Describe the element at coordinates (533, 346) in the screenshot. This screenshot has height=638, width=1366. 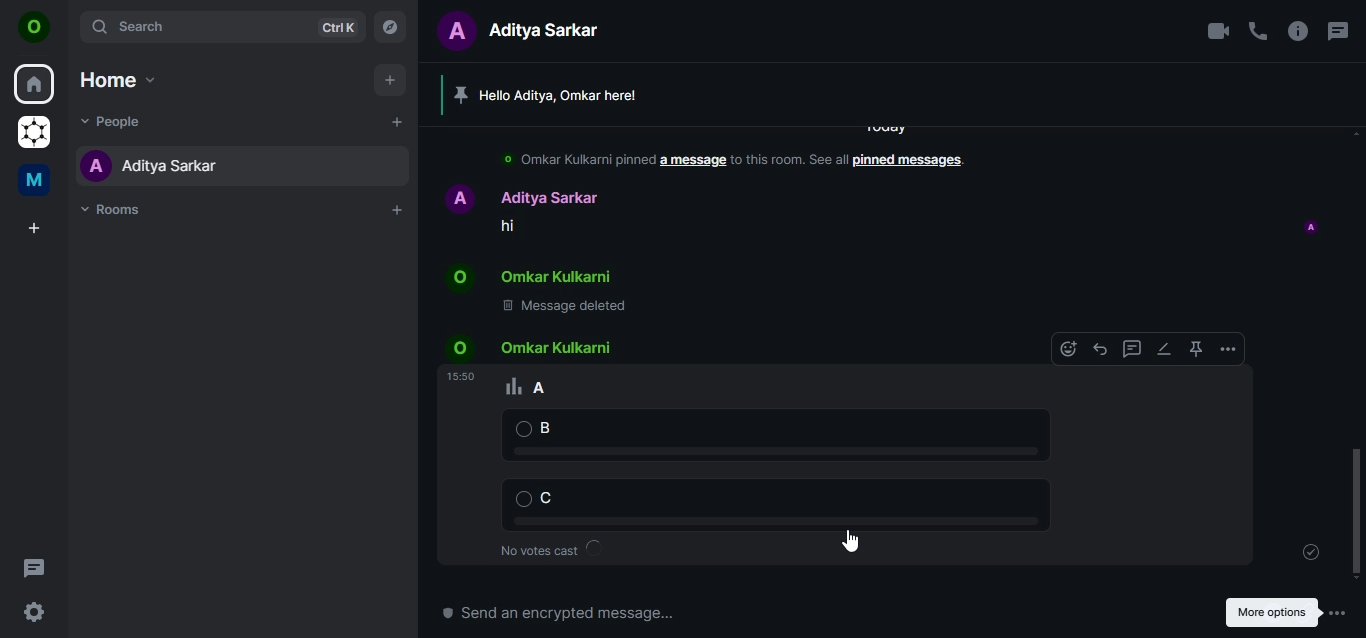
I see `text` at that location.